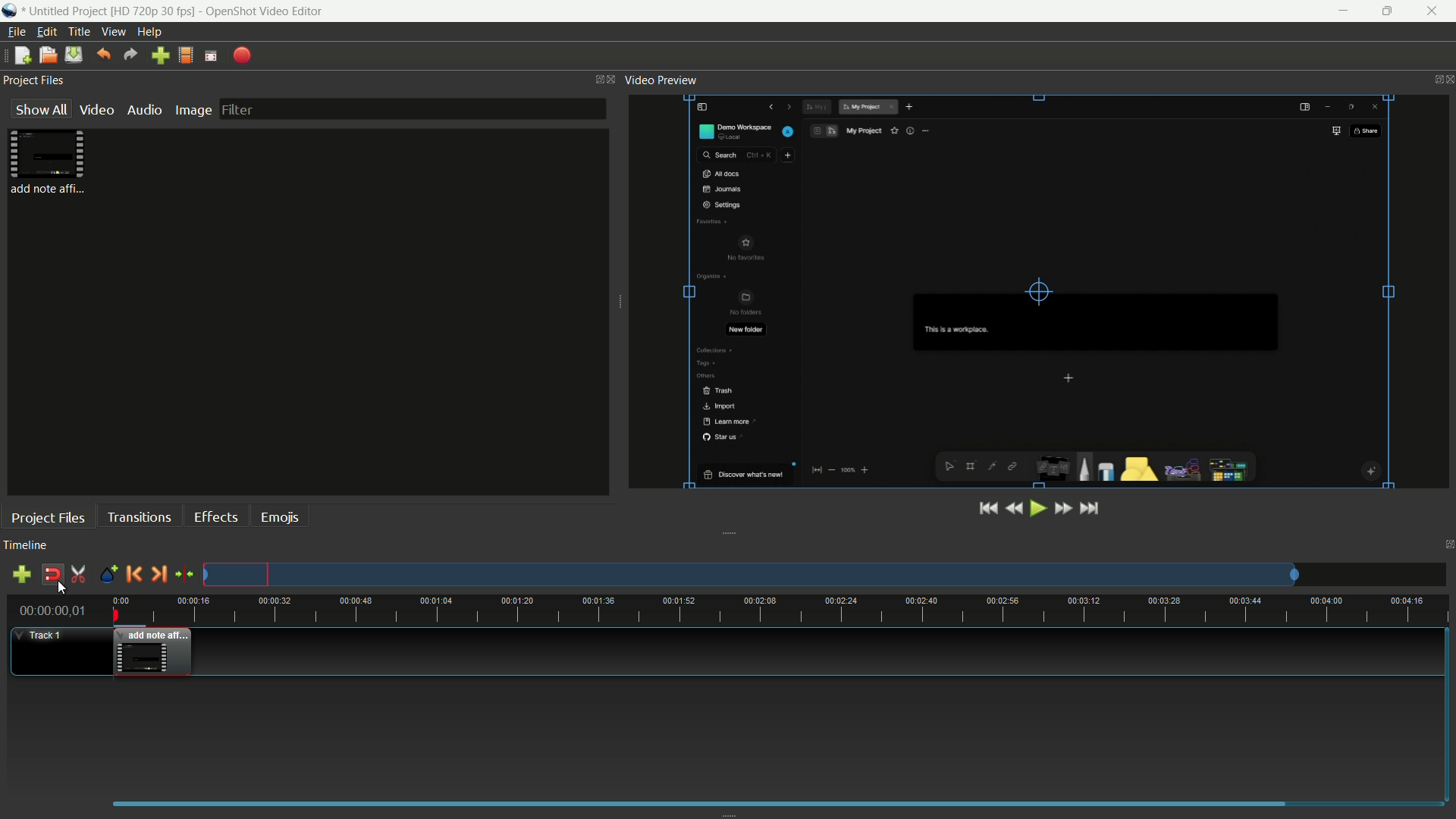 The width and height of the screenshot is (1456, 819). What do you see at coordinates (1090, 508) in the screenshot?
I see `jump to end` at bounding box center [1090, 508].